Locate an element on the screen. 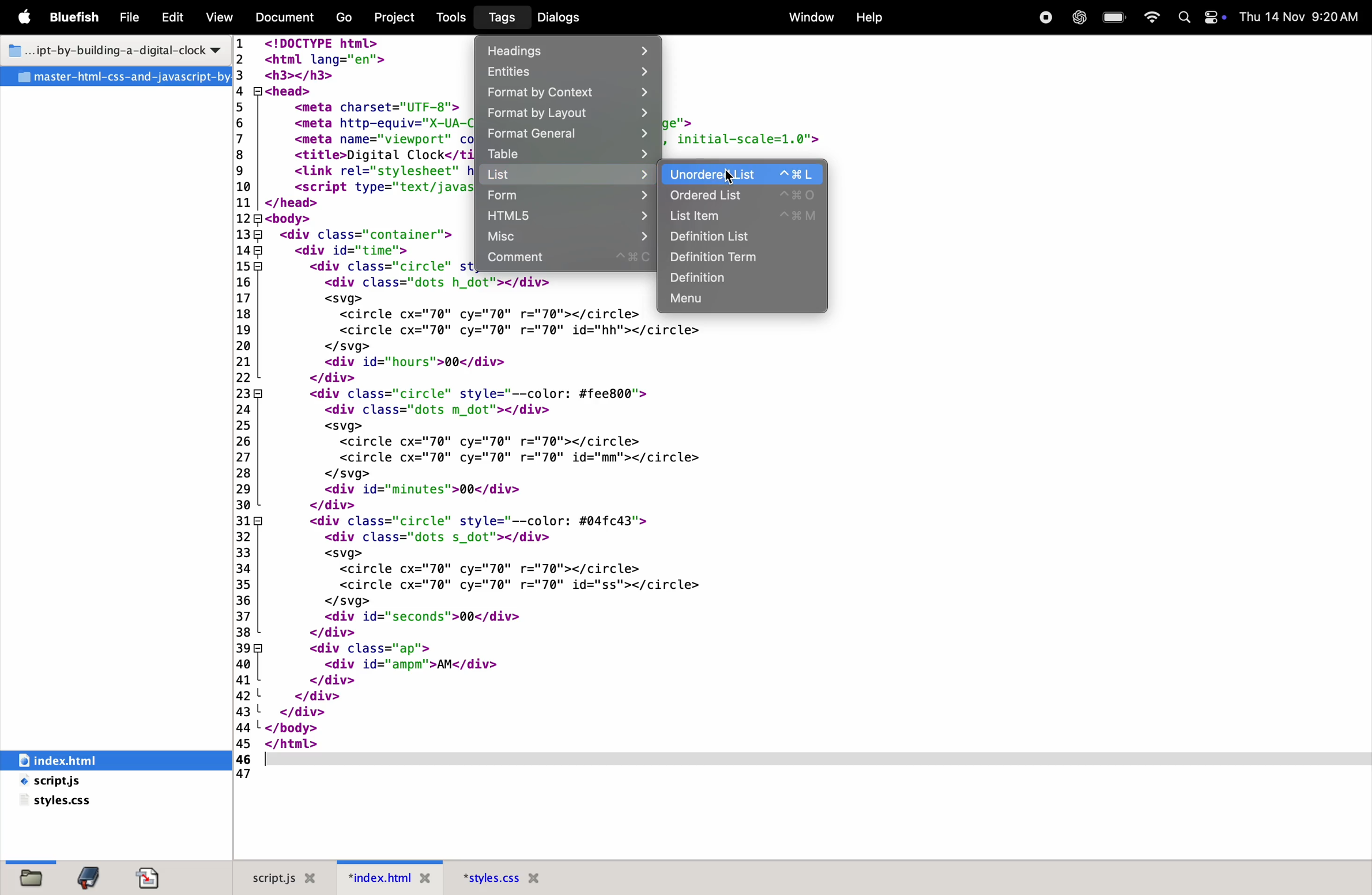  help is located at coordinates (869, 17).